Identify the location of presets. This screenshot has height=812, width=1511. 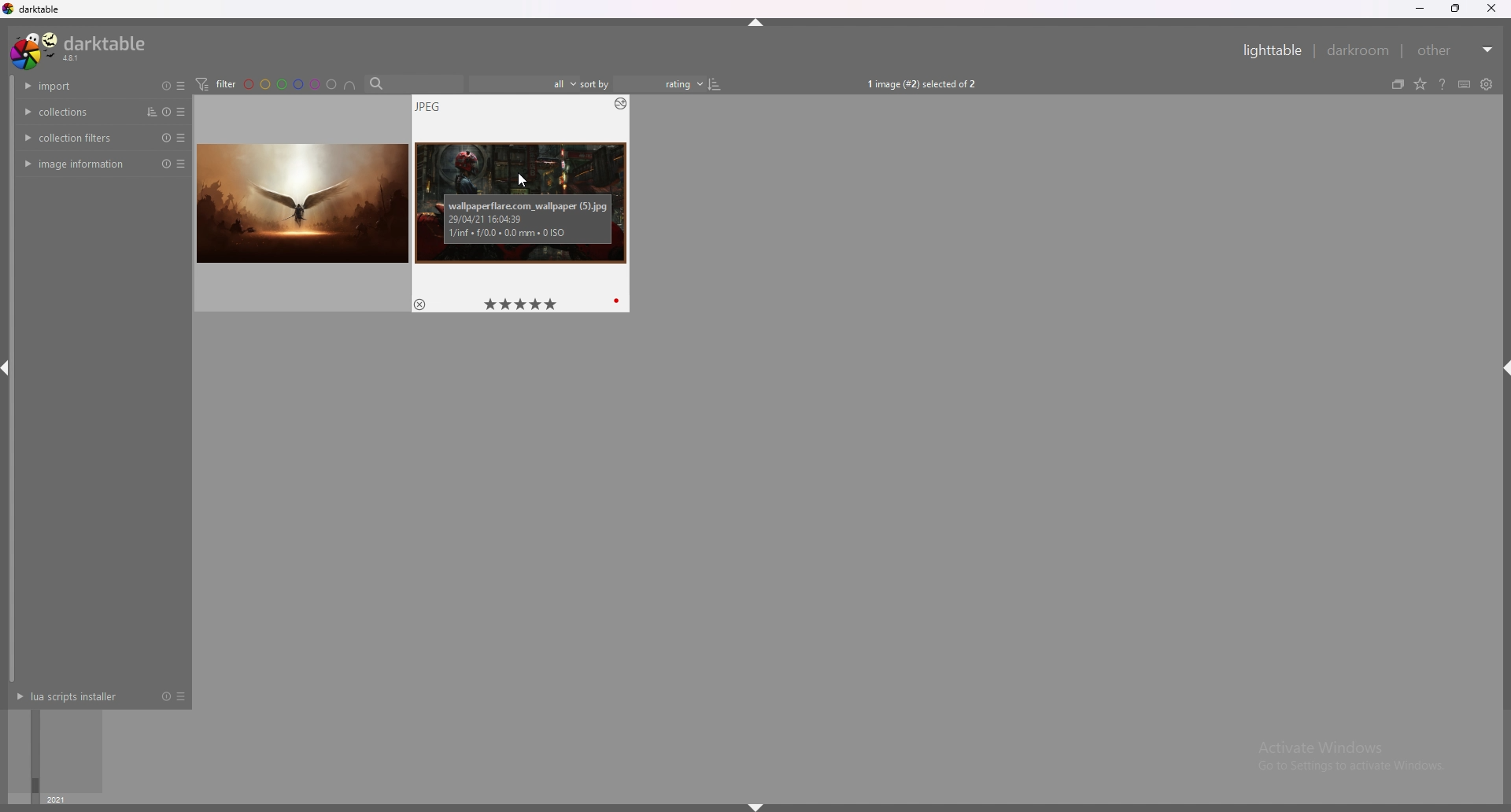
(181, 166).